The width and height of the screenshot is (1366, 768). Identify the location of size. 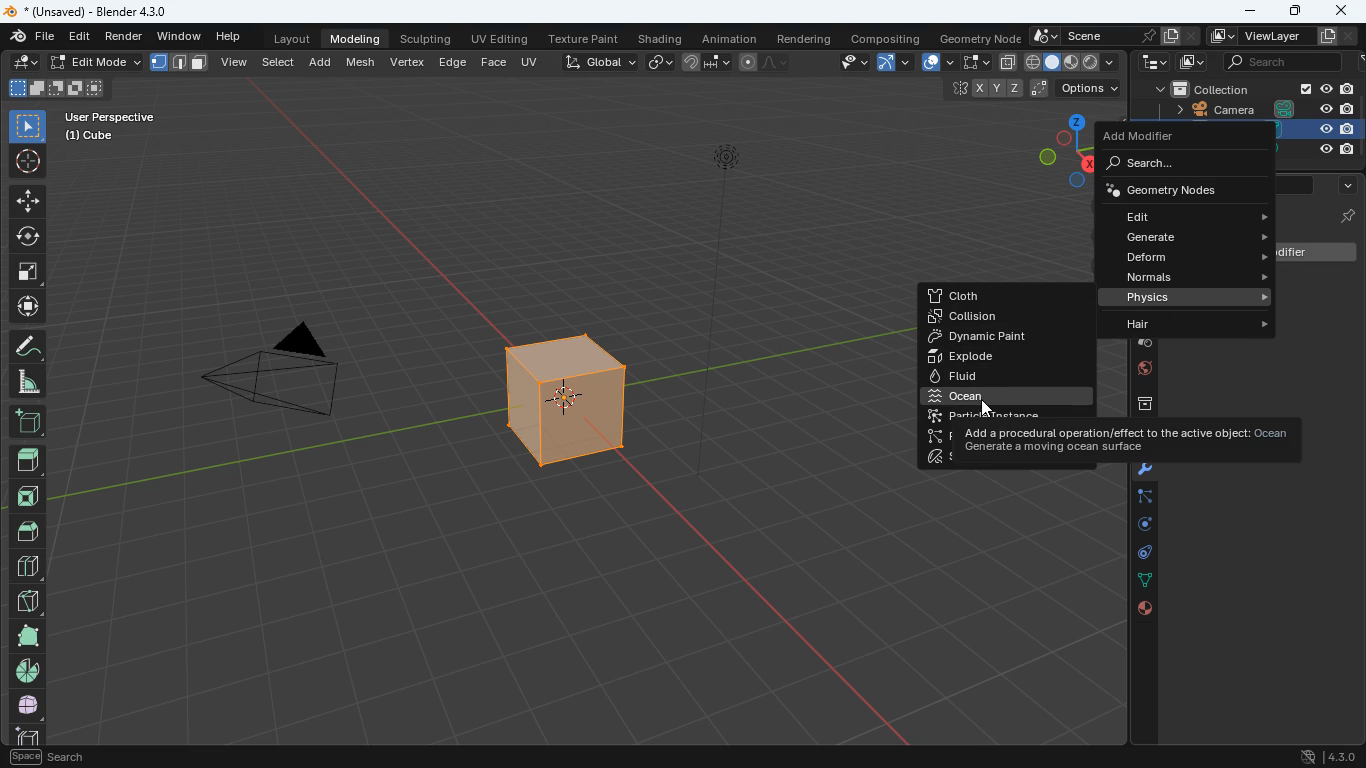
(55, 89).